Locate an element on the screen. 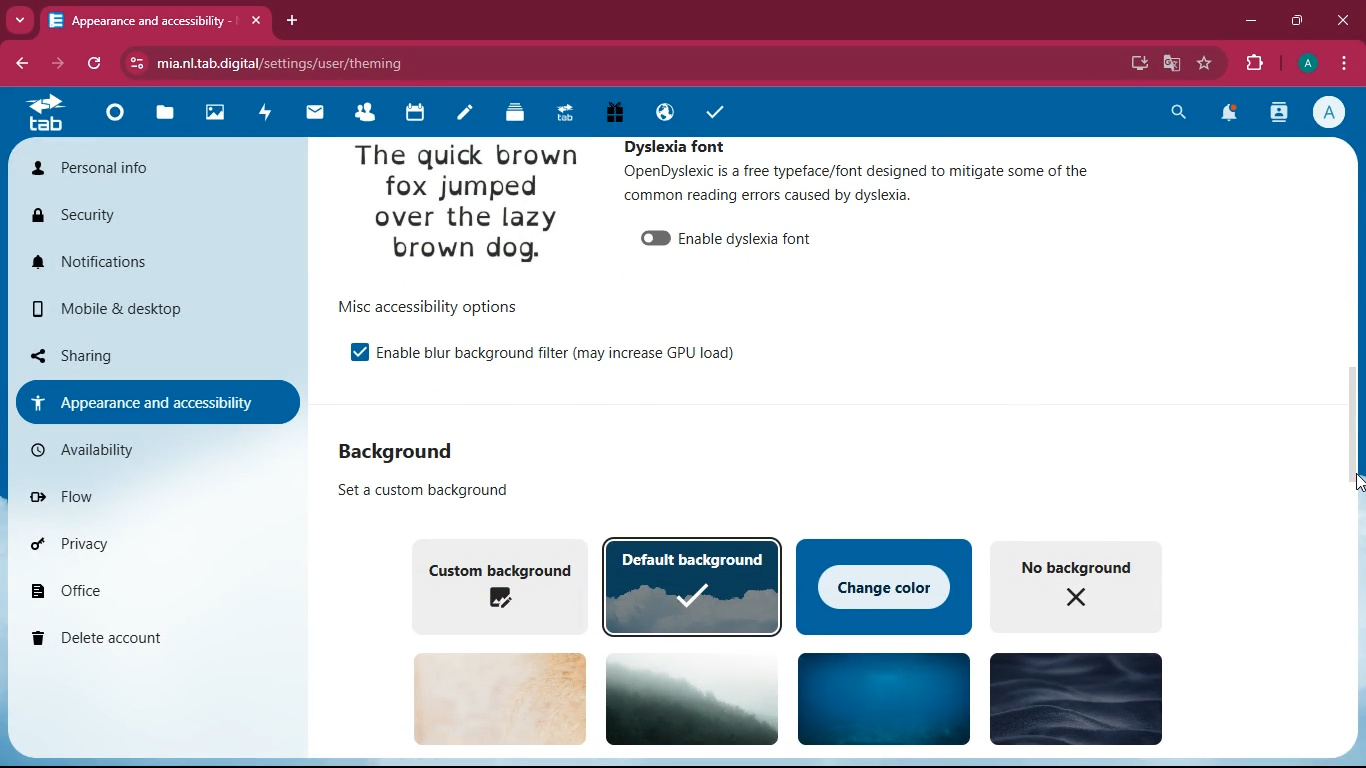 The width and height of the screenshot is (1366, 768). refresh is located at coordinates (96, 64).